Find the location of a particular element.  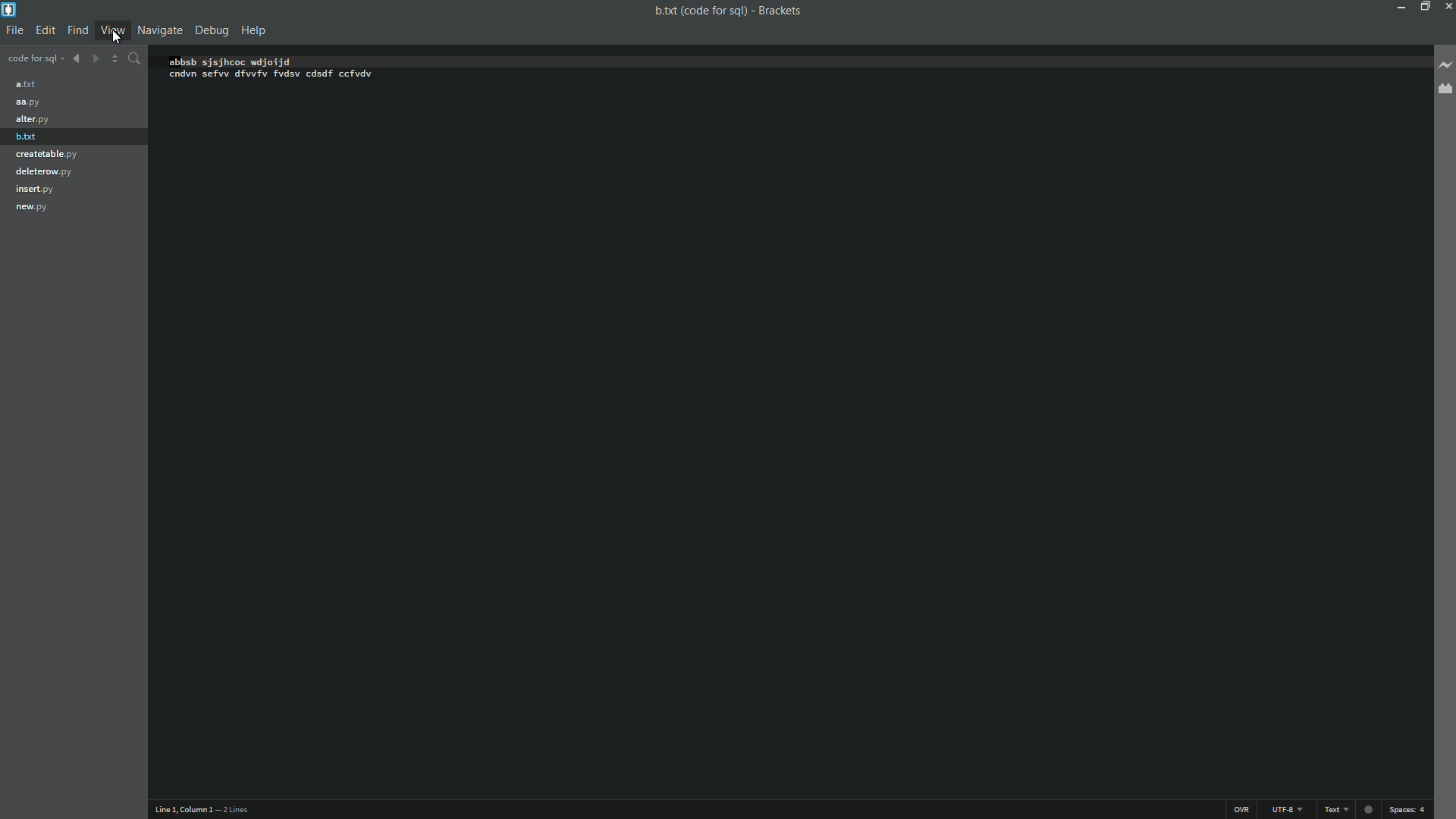

Cursor position is located at coordinates (178, 811).